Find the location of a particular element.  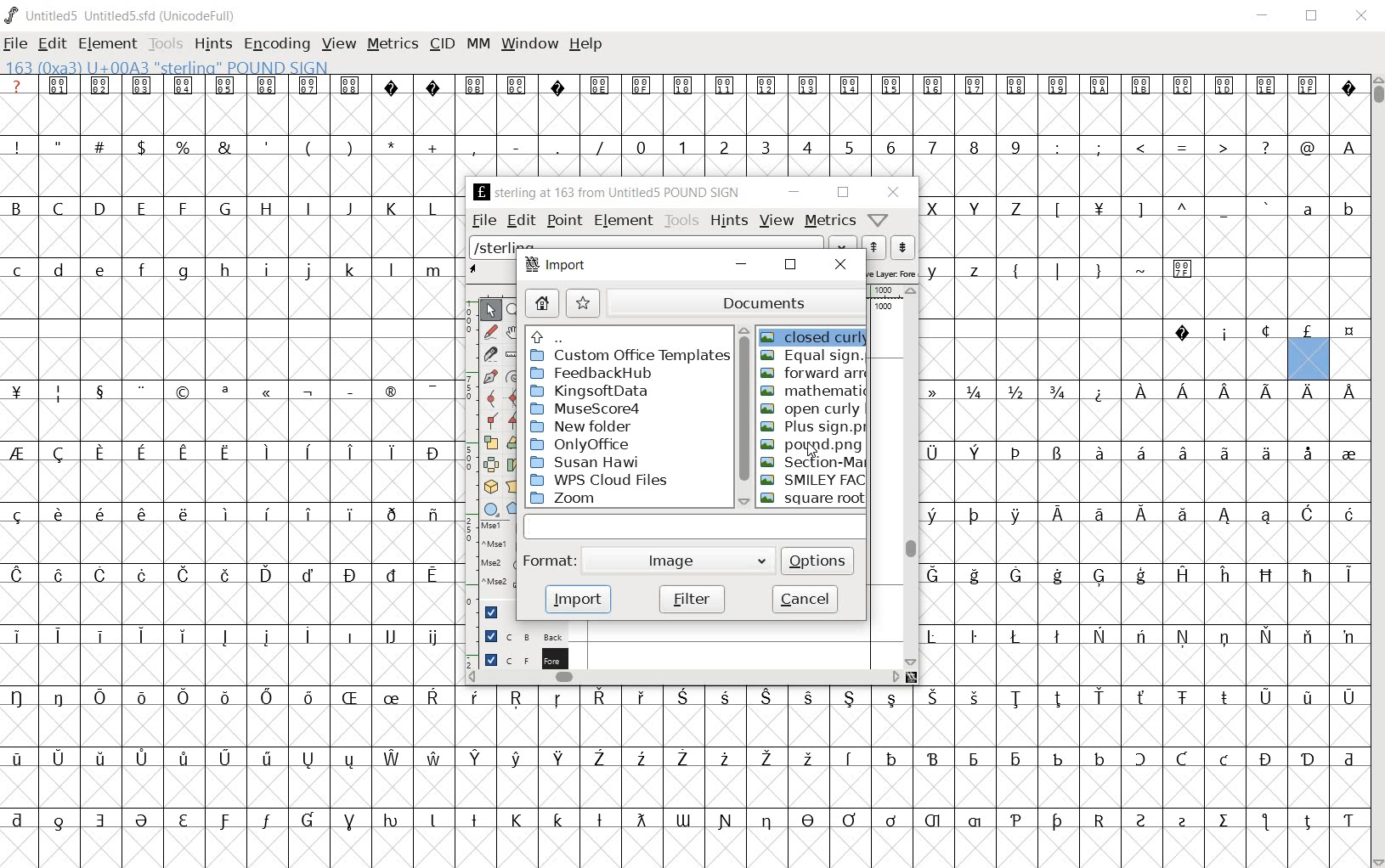

# is located at coordinates (104, 148).